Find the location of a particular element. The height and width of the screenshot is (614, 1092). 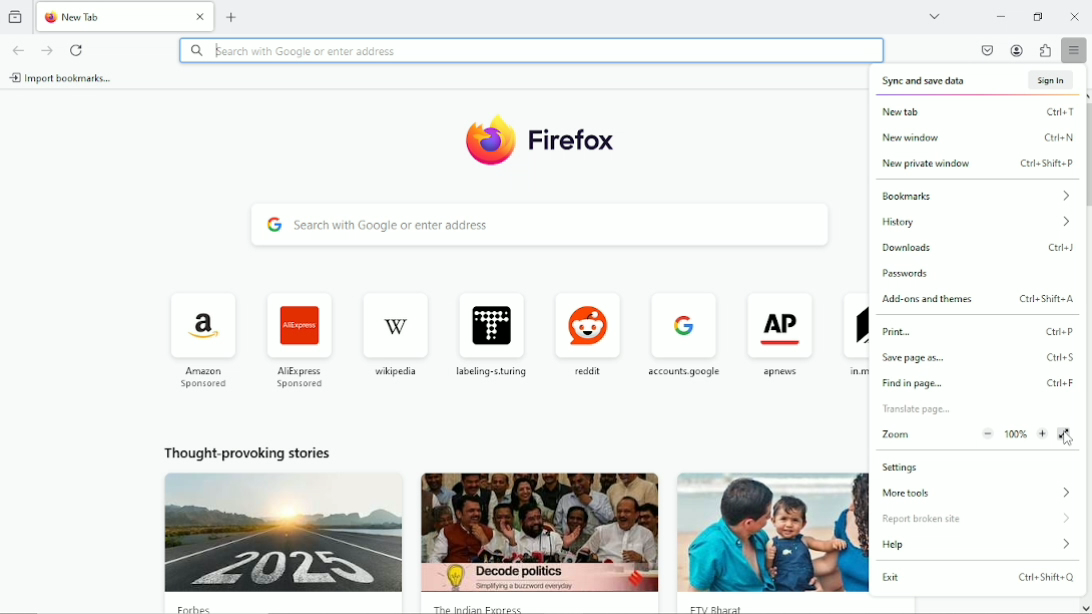

amazon sponsored is located at coordinates (202, 337).